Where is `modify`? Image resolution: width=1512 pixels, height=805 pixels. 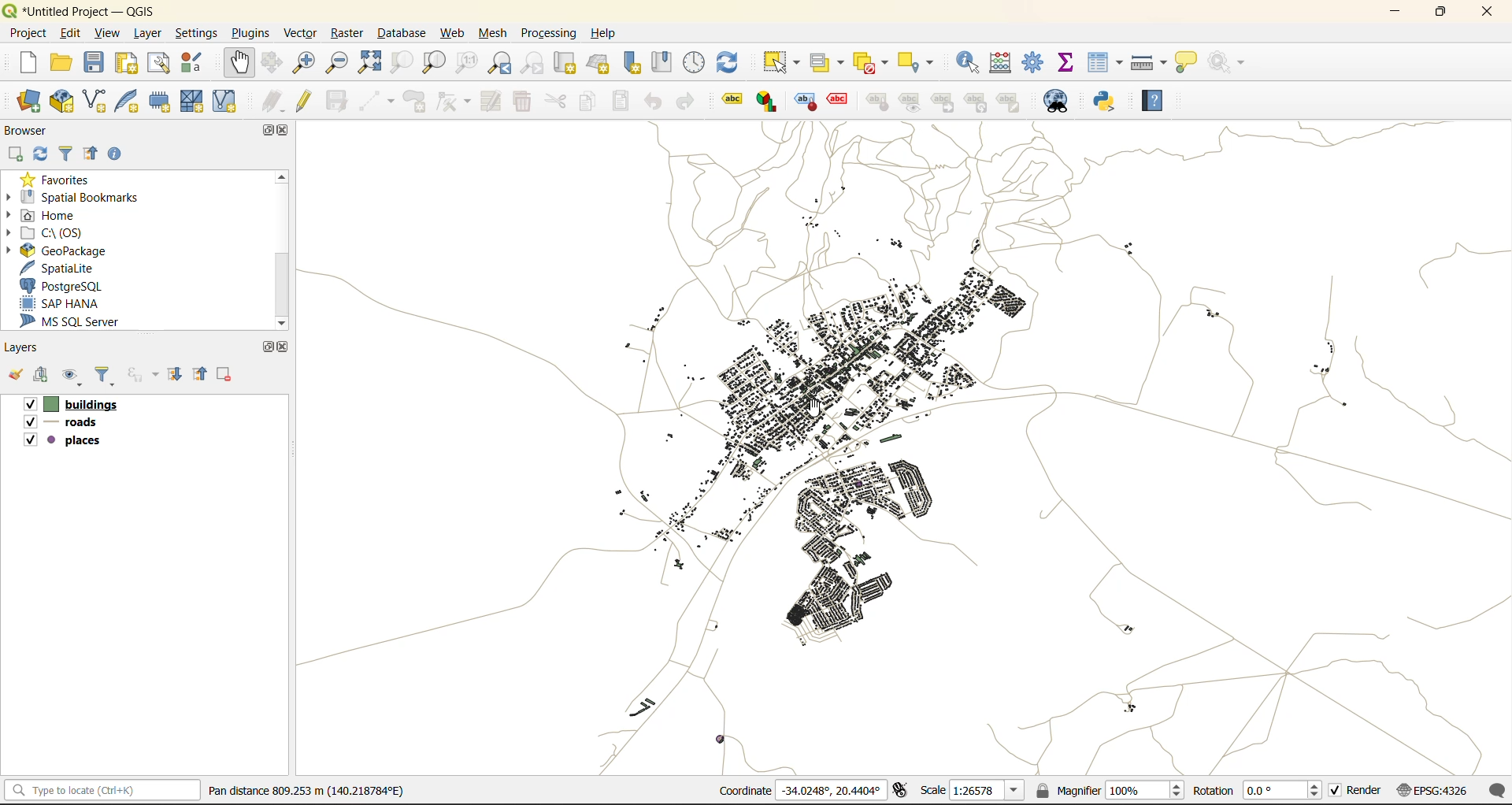
modify is located at coordinates (490, 102).